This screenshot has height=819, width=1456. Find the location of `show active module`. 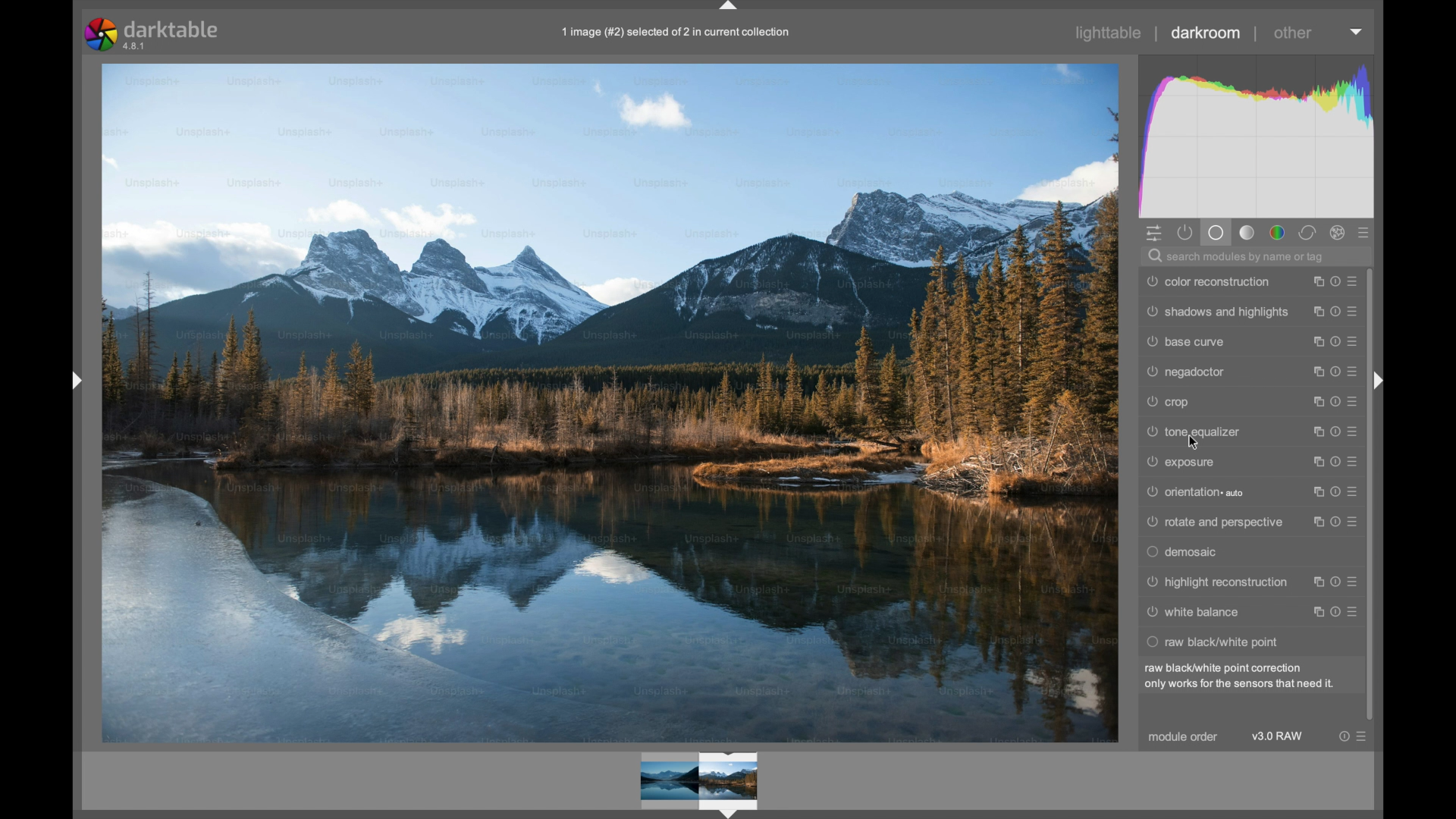

show active module is located at coordinates (1185, 233).